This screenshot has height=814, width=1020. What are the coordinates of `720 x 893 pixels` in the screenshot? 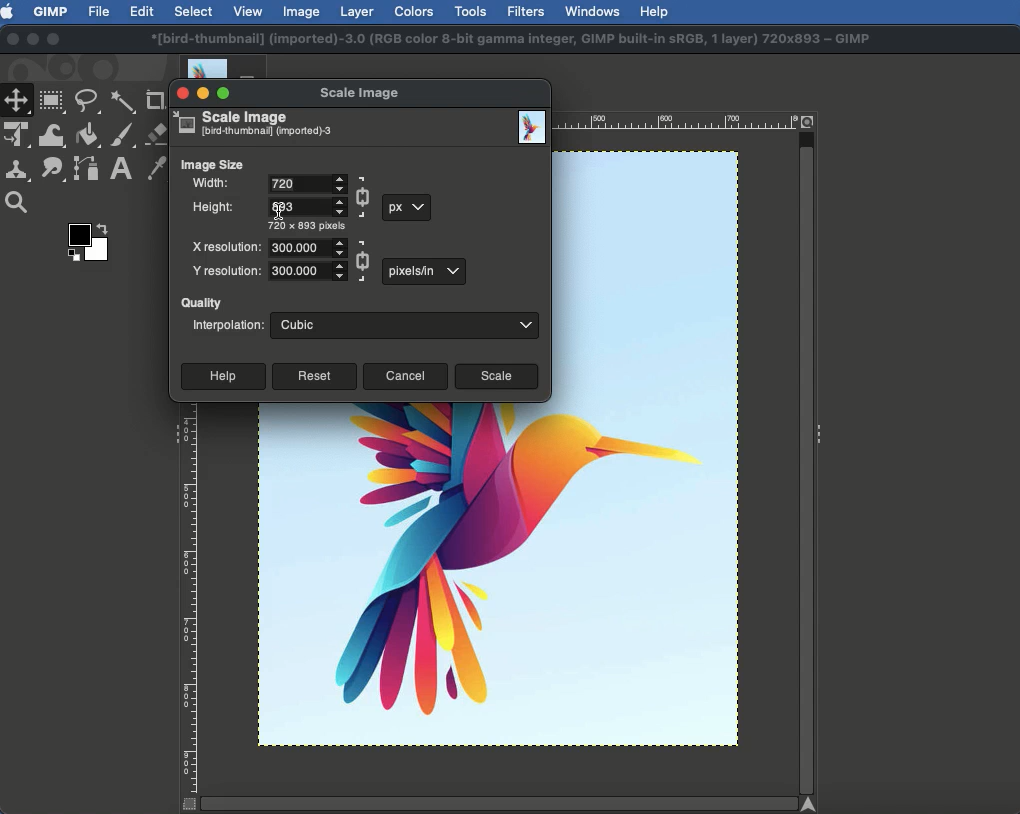 It's located at (310, 226).